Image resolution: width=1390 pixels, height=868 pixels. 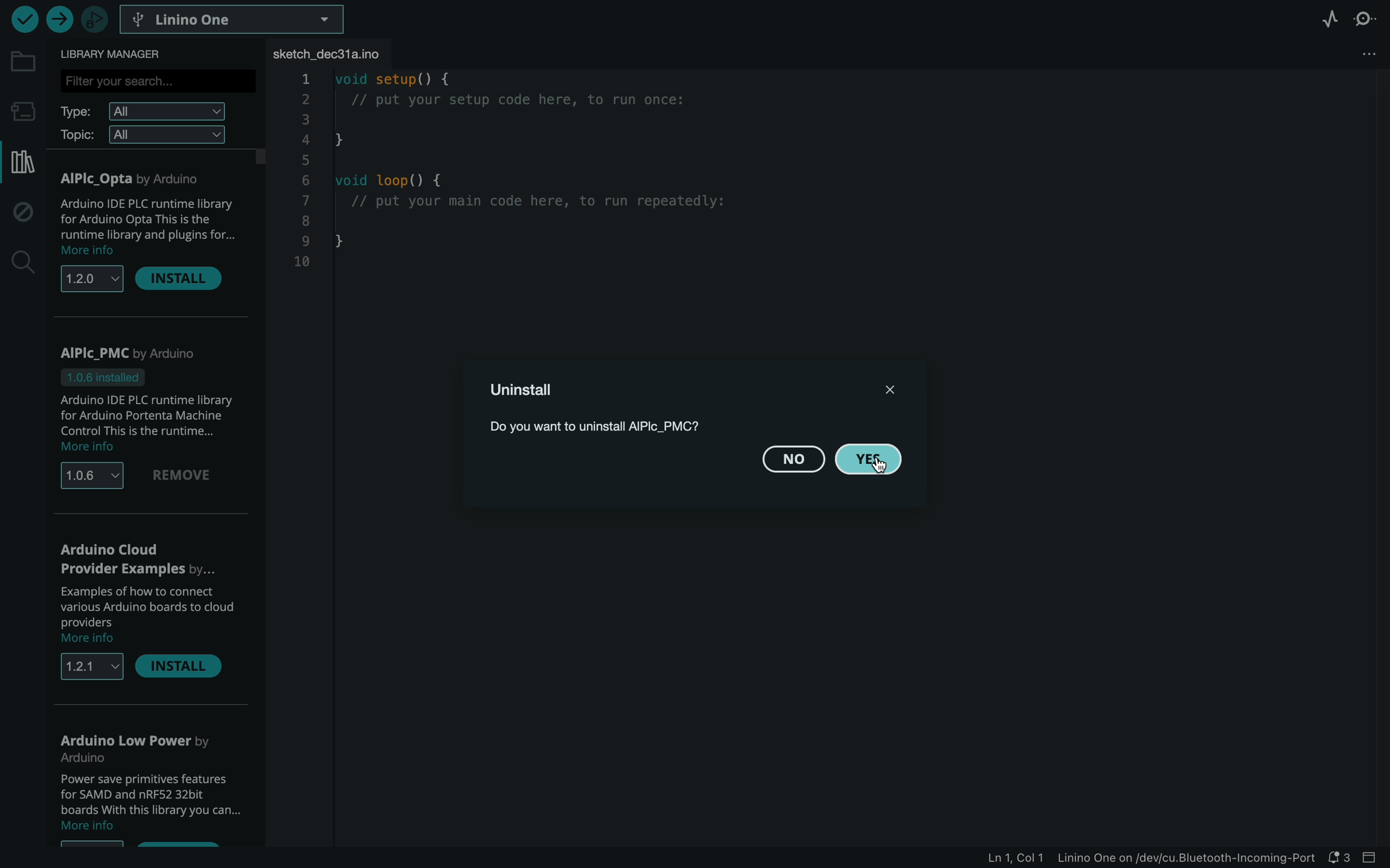 What do you see at coordinates (877, 467) in the screenshot?
I see `cursor` at bounding box center [877, 467].